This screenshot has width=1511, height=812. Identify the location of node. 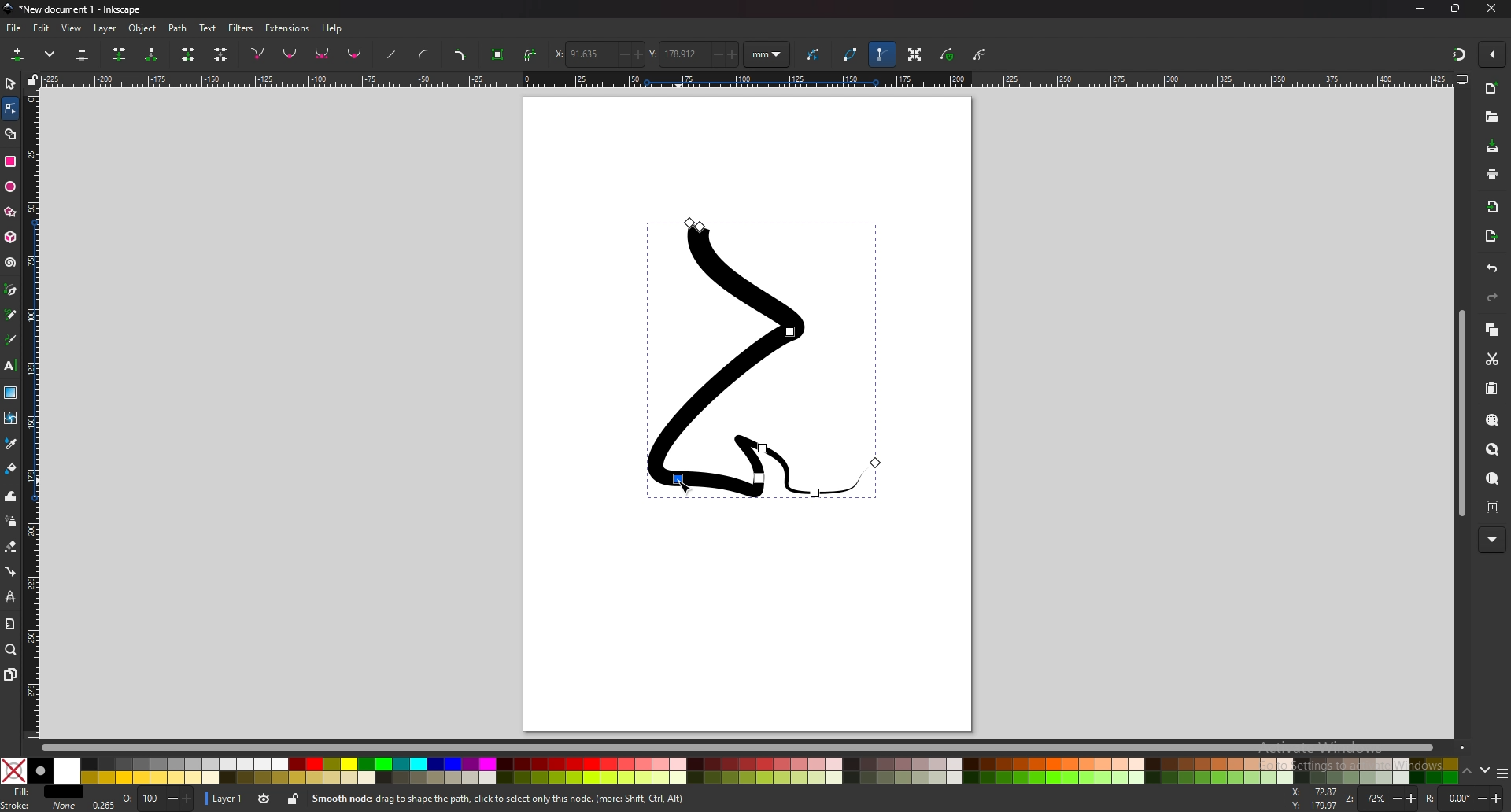
(10, 109).